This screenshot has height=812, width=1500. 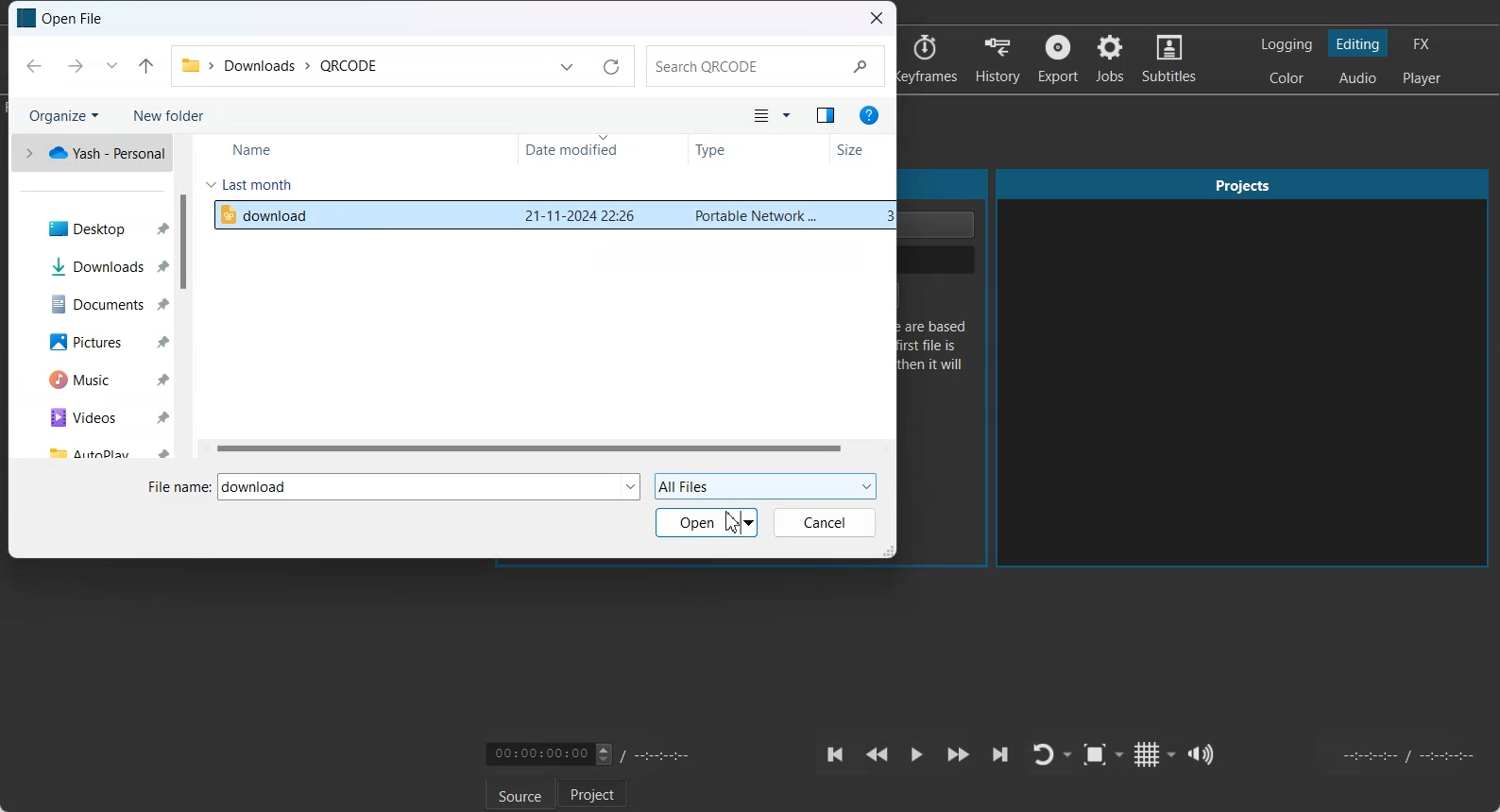 I want to click on Play Quickly backward, so click(x=878, y=754).